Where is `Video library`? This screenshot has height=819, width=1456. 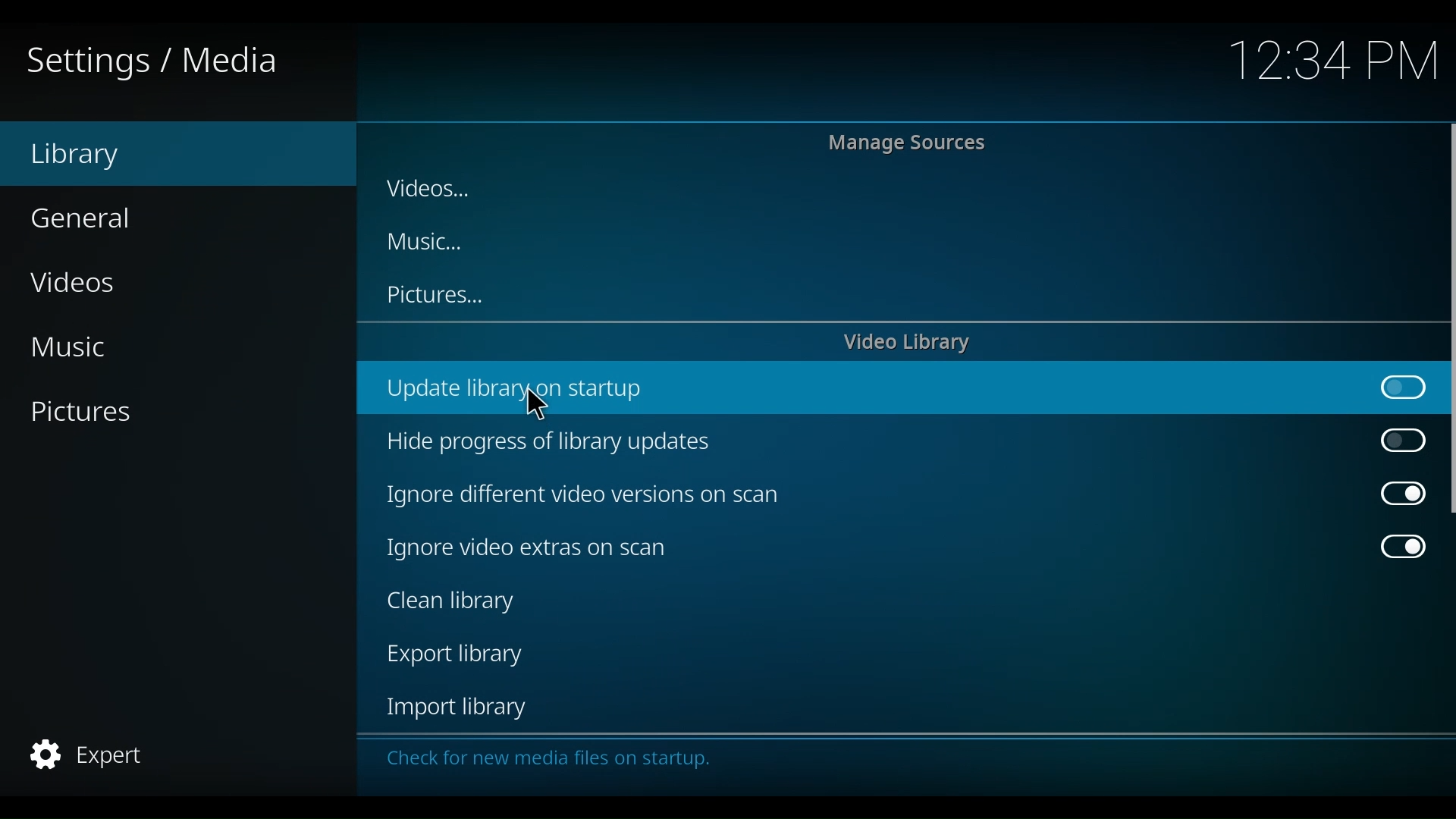
Video library is located at coordinates (906, 340).